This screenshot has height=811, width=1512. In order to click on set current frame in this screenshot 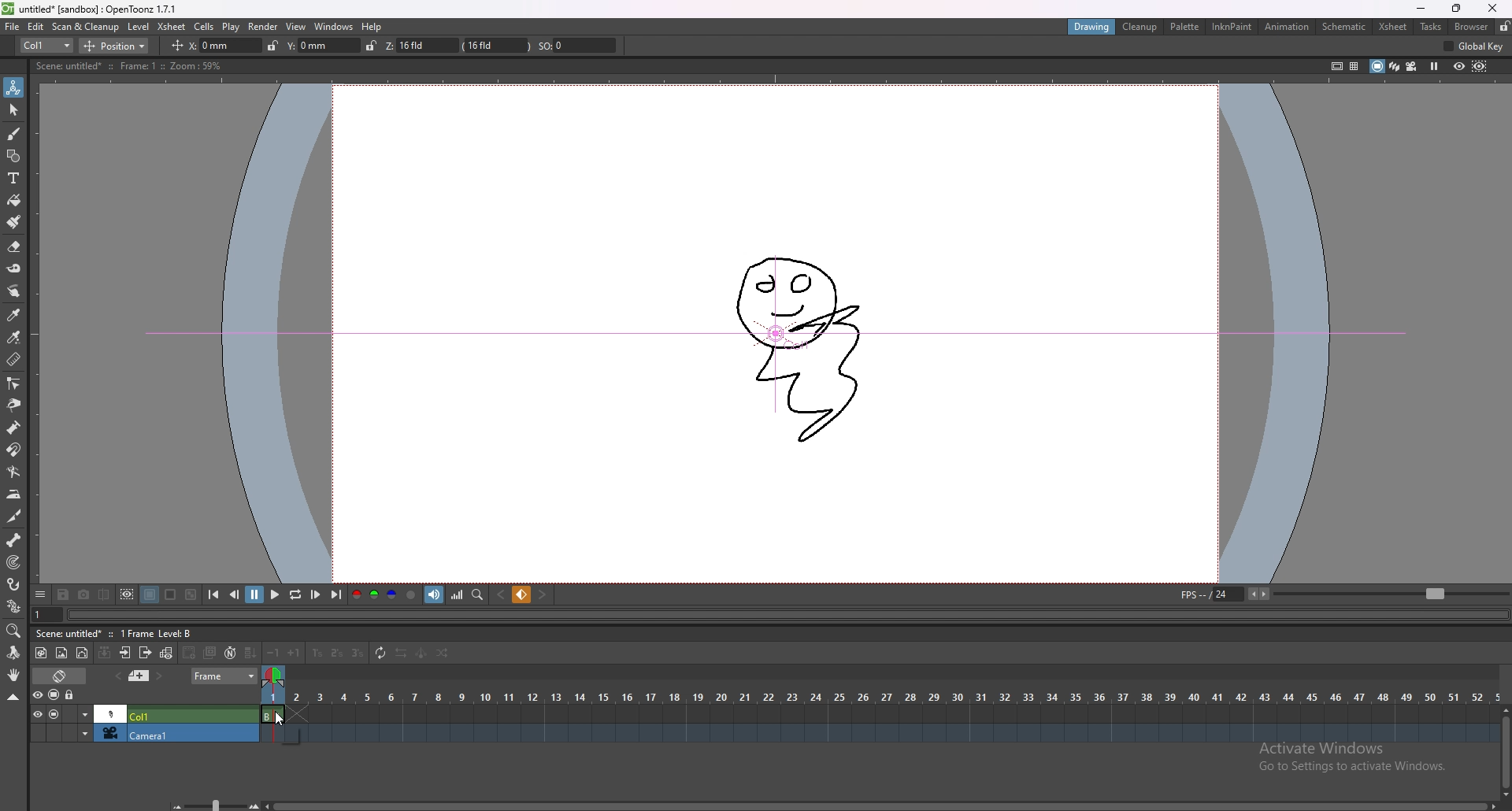, I will do `click(47, 614)`.